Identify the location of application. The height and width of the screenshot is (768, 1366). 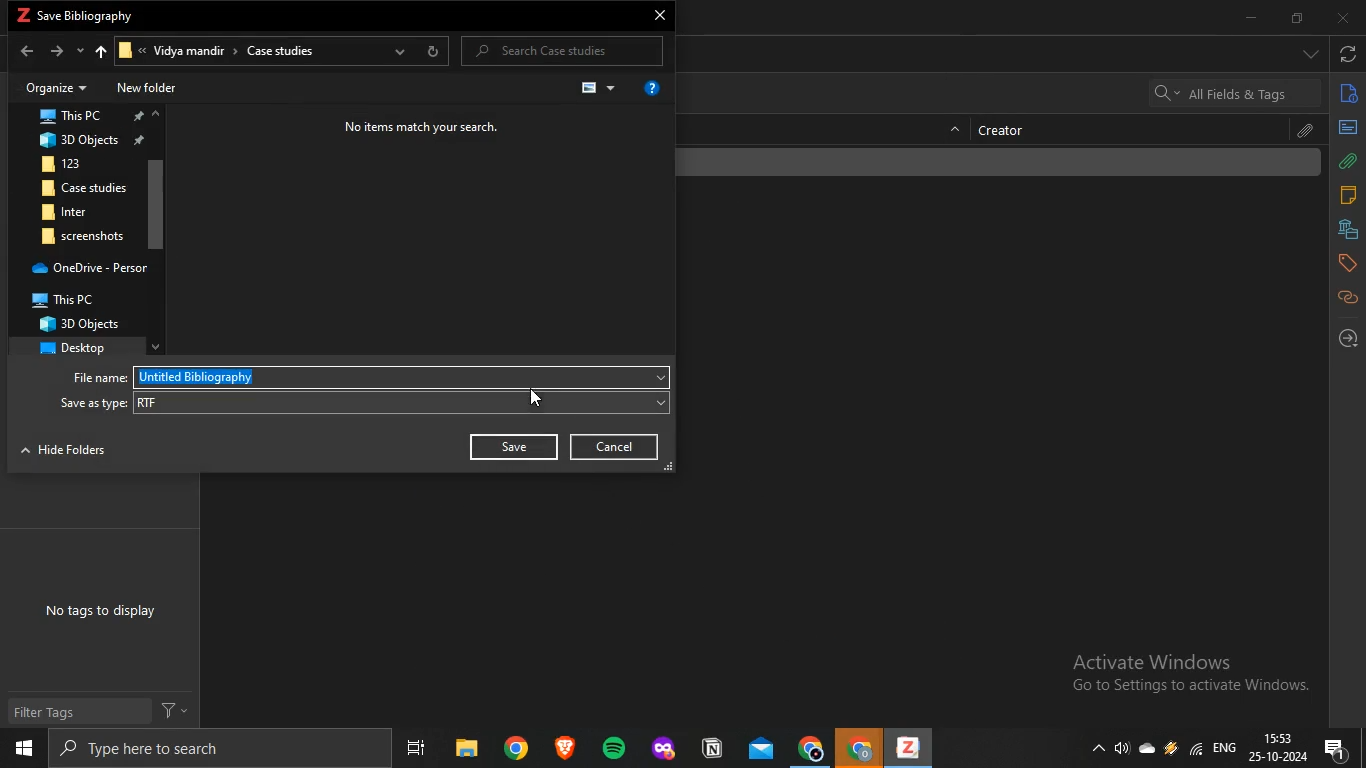
(666, 749).